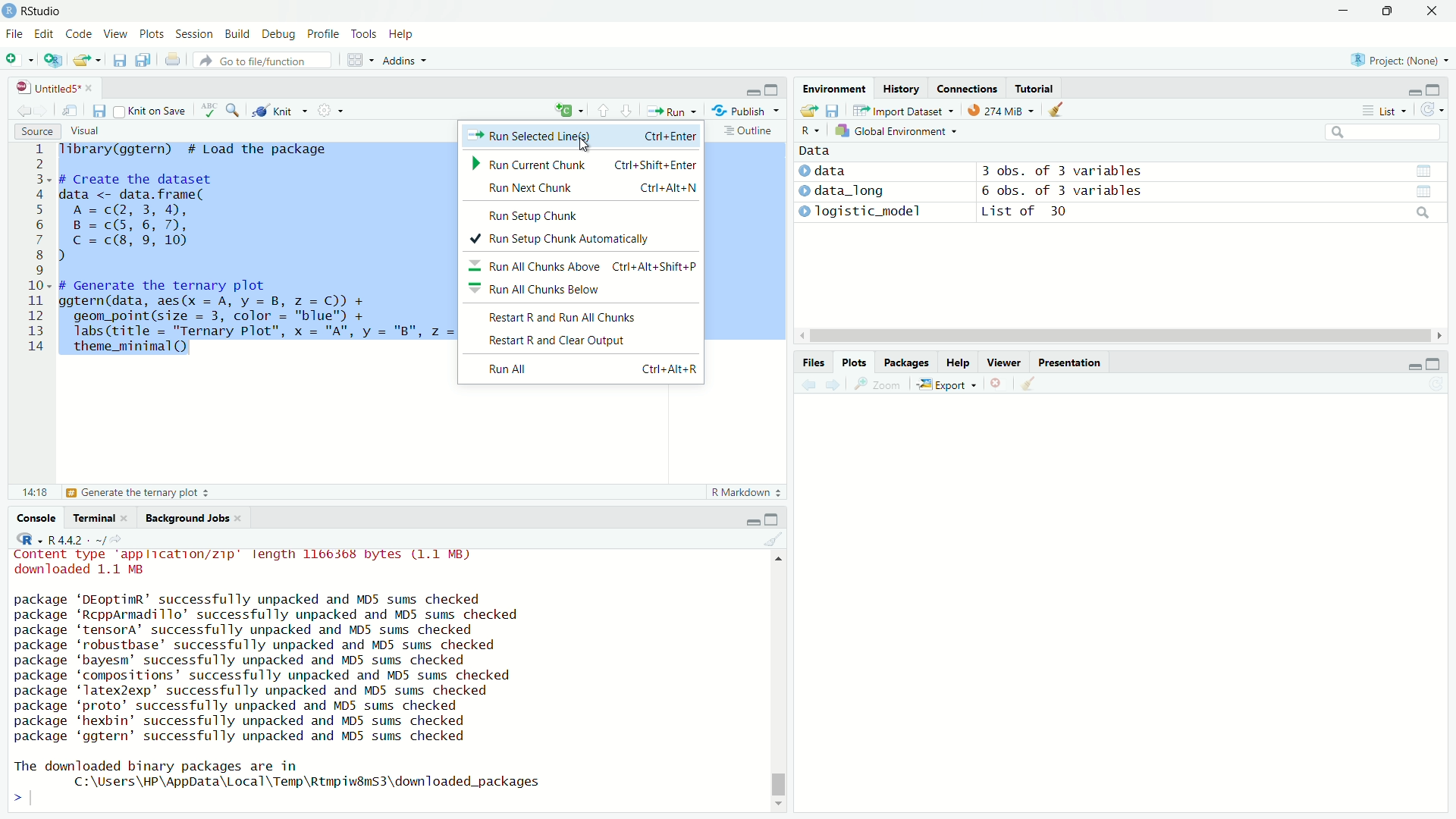  Describe the element at coordinates (805, 360) in the screenshot. I see `Files` at that location.